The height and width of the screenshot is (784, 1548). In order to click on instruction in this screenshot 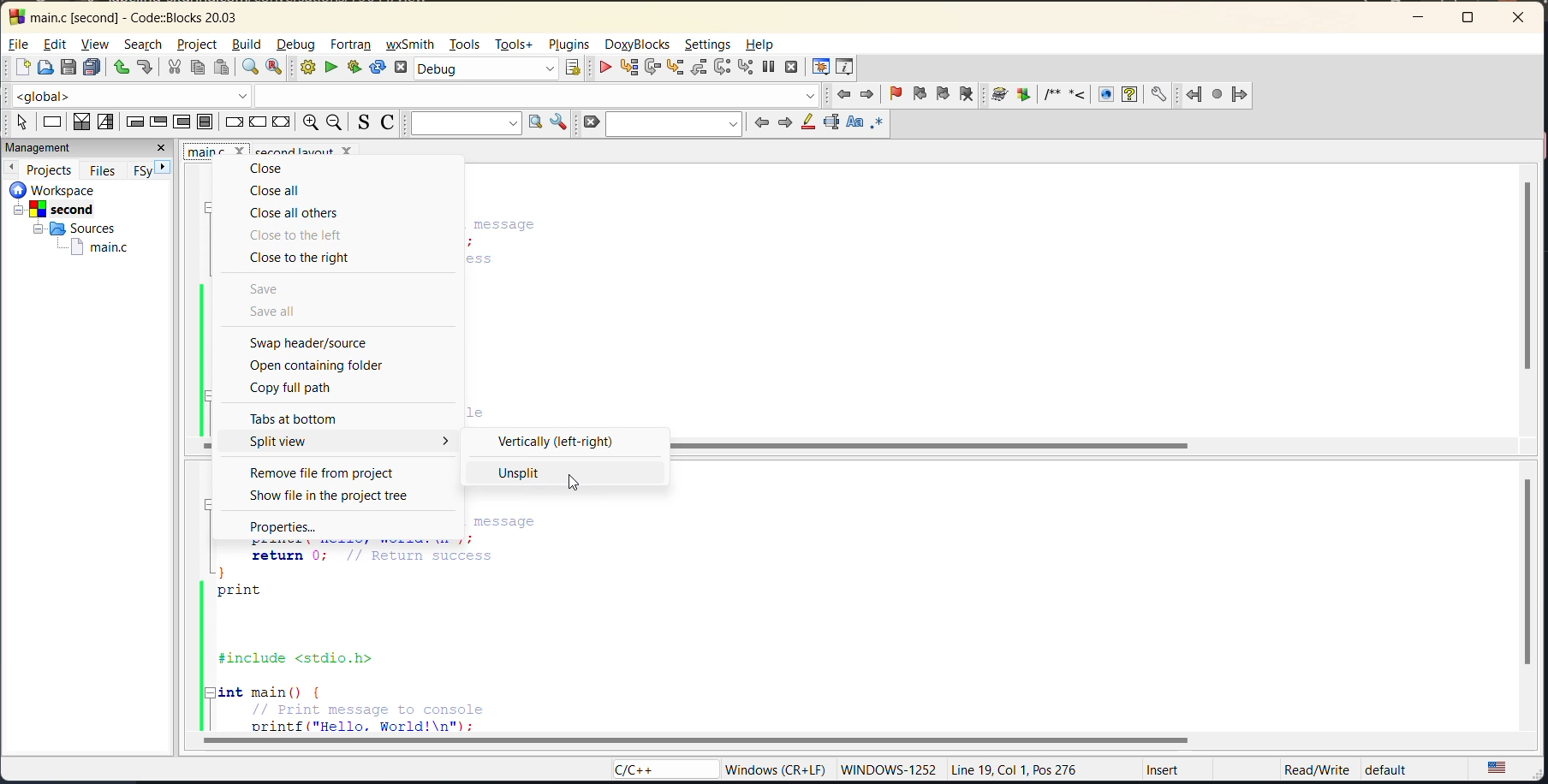, I will do `click(54, 121)`.